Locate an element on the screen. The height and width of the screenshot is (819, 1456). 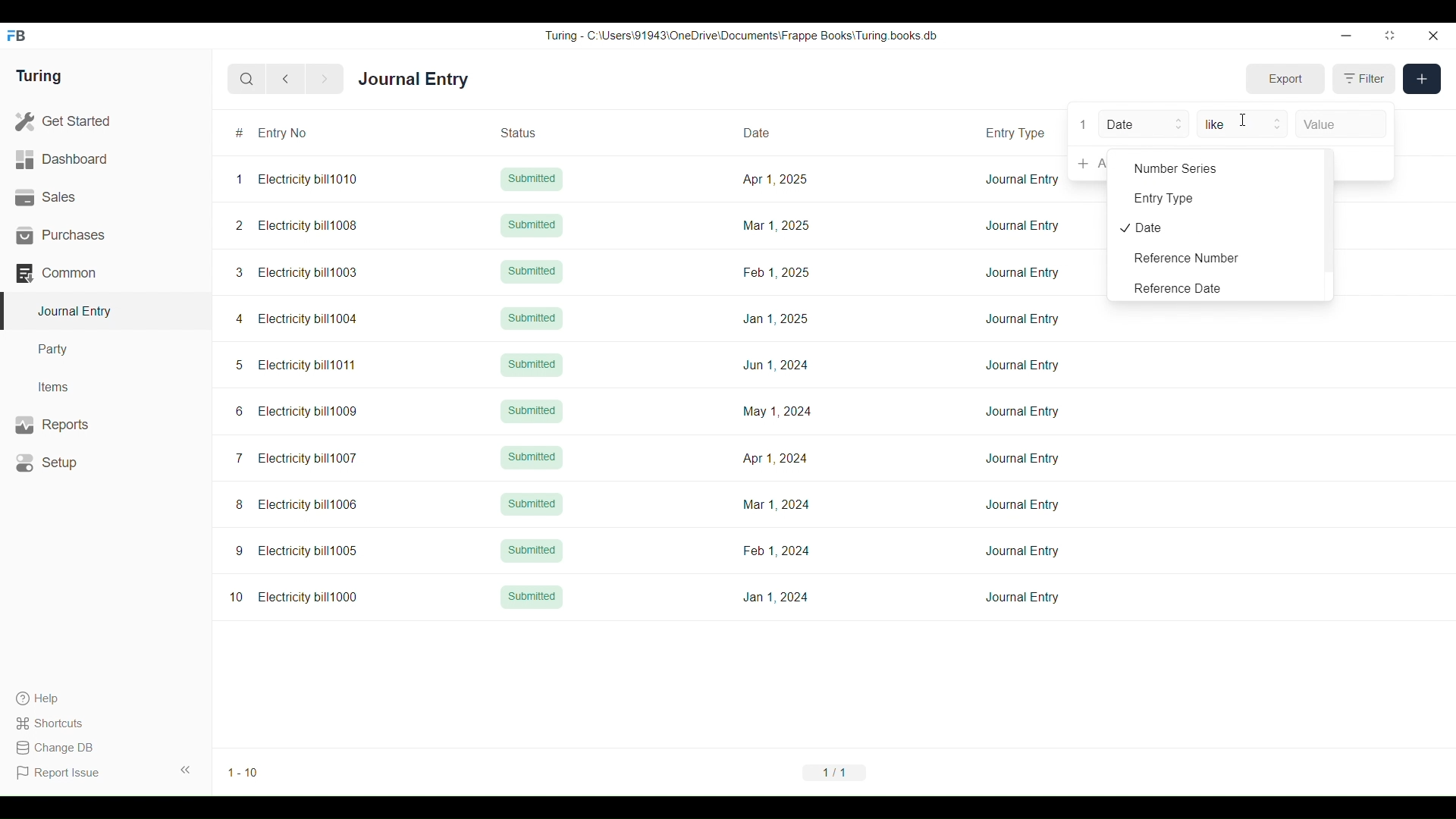
Help is located at coordinates (57, 698).